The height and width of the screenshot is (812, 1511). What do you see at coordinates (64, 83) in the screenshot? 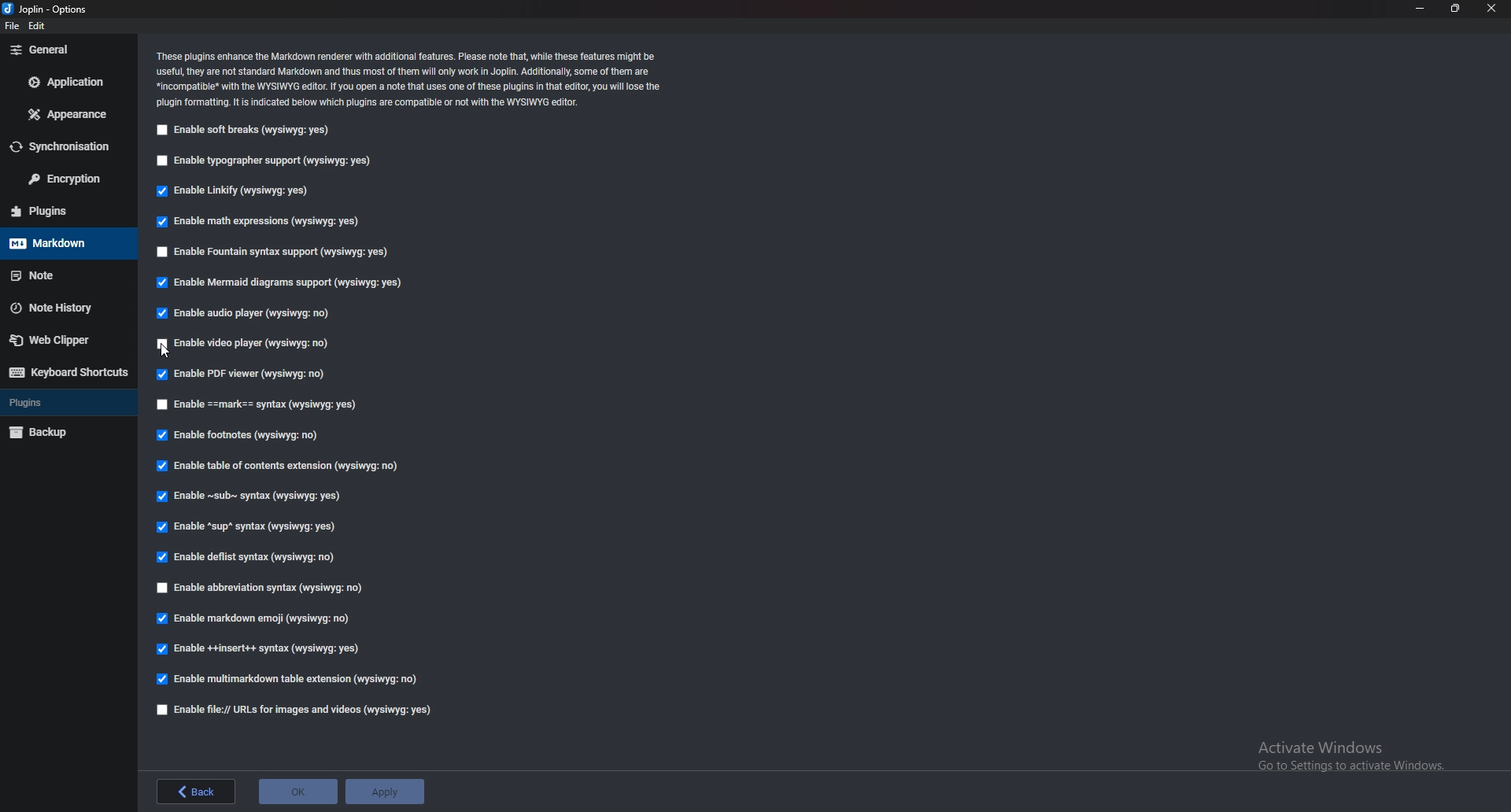
I see `Application` at bounding box center [64, 83].